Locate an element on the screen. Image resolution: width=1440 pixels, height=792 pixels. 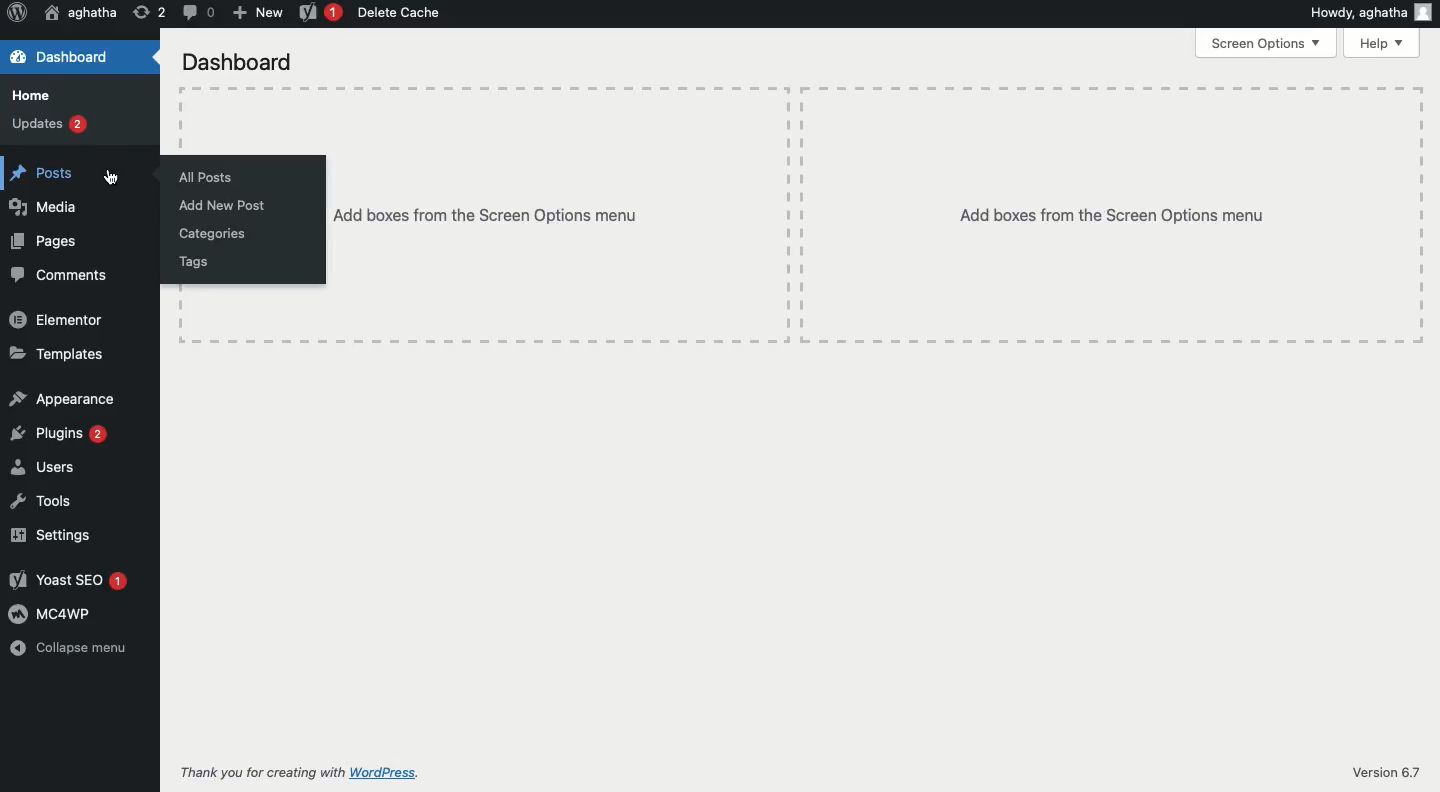
Yoast SEO is located at coordinates (69, 579).